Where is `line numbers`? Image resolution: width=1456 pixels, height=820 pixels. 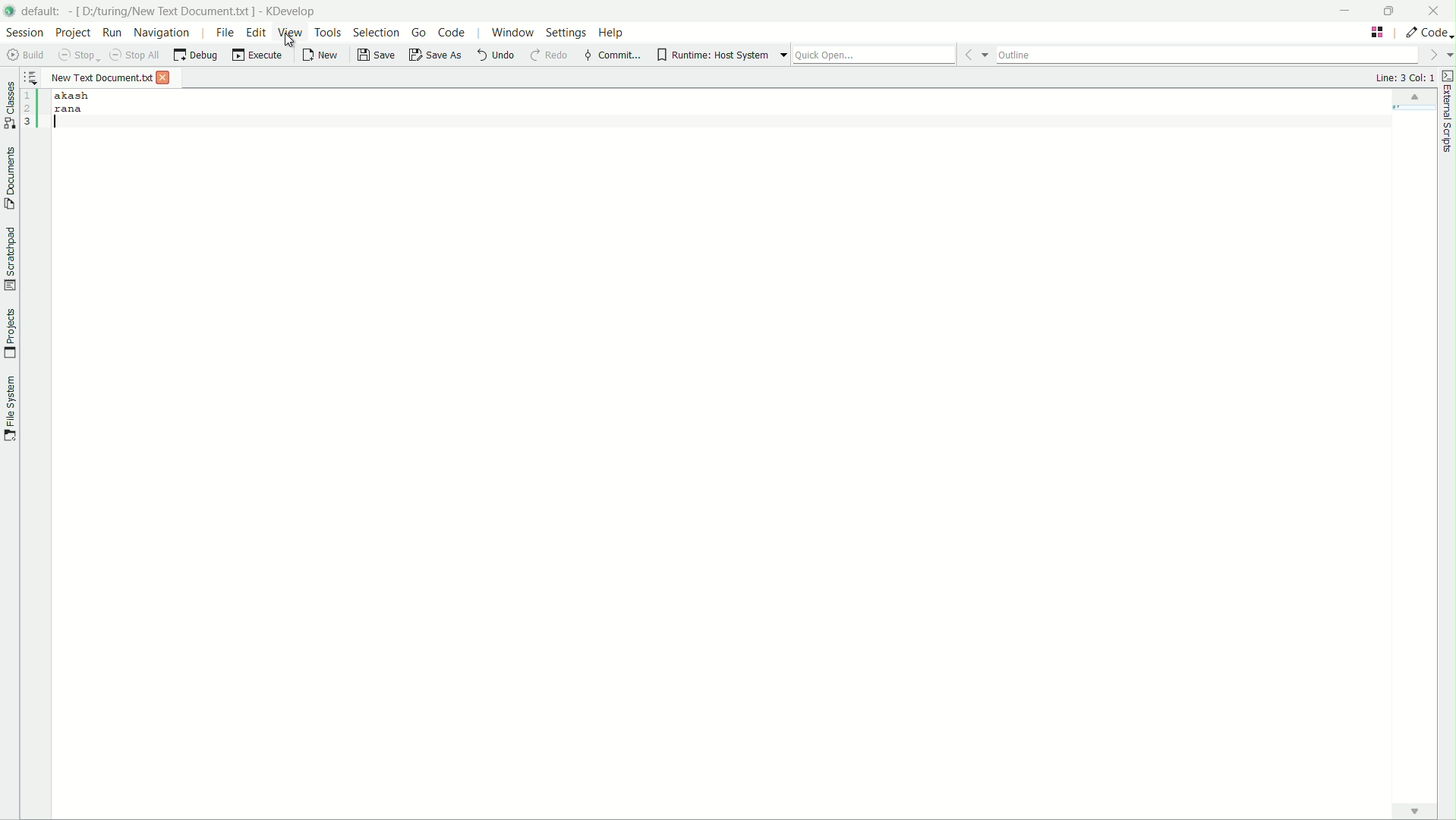 line numbers is located at coordinates (30, 109).